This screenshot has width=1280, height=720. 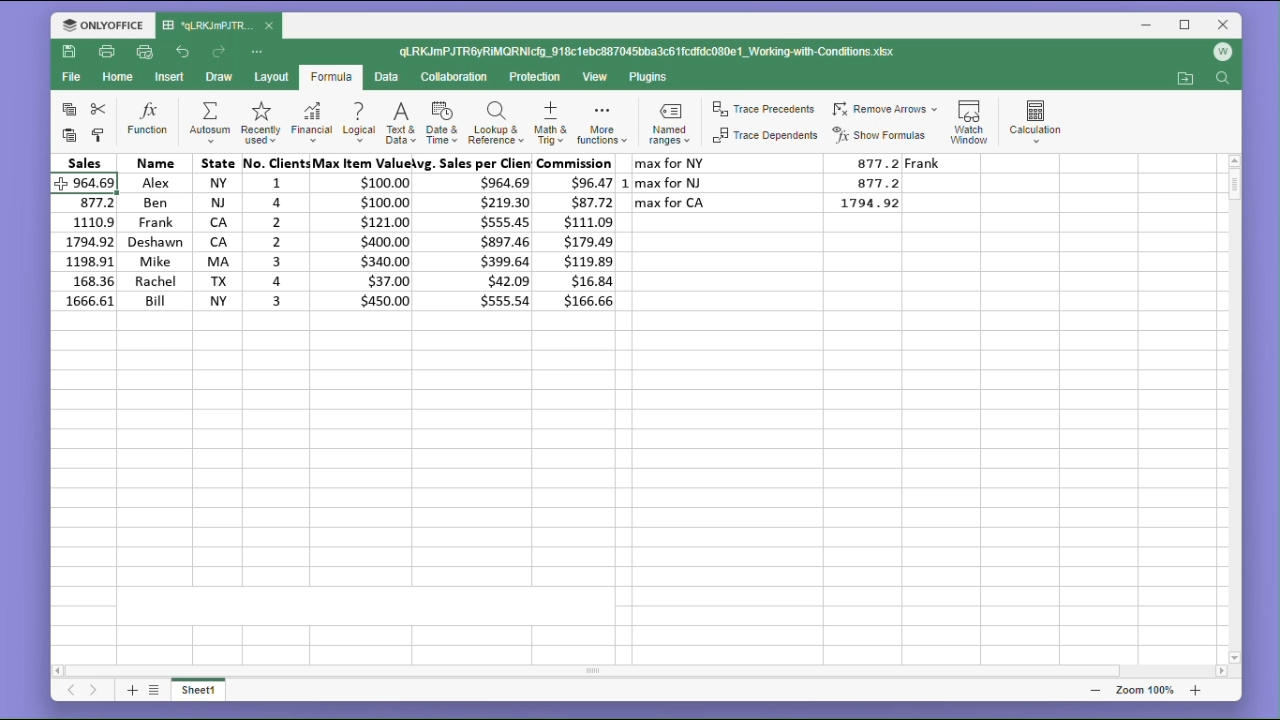 What do you see at coordinates (211, 232) in the screenshot?
I see `states` at bounding box center [211, 232].